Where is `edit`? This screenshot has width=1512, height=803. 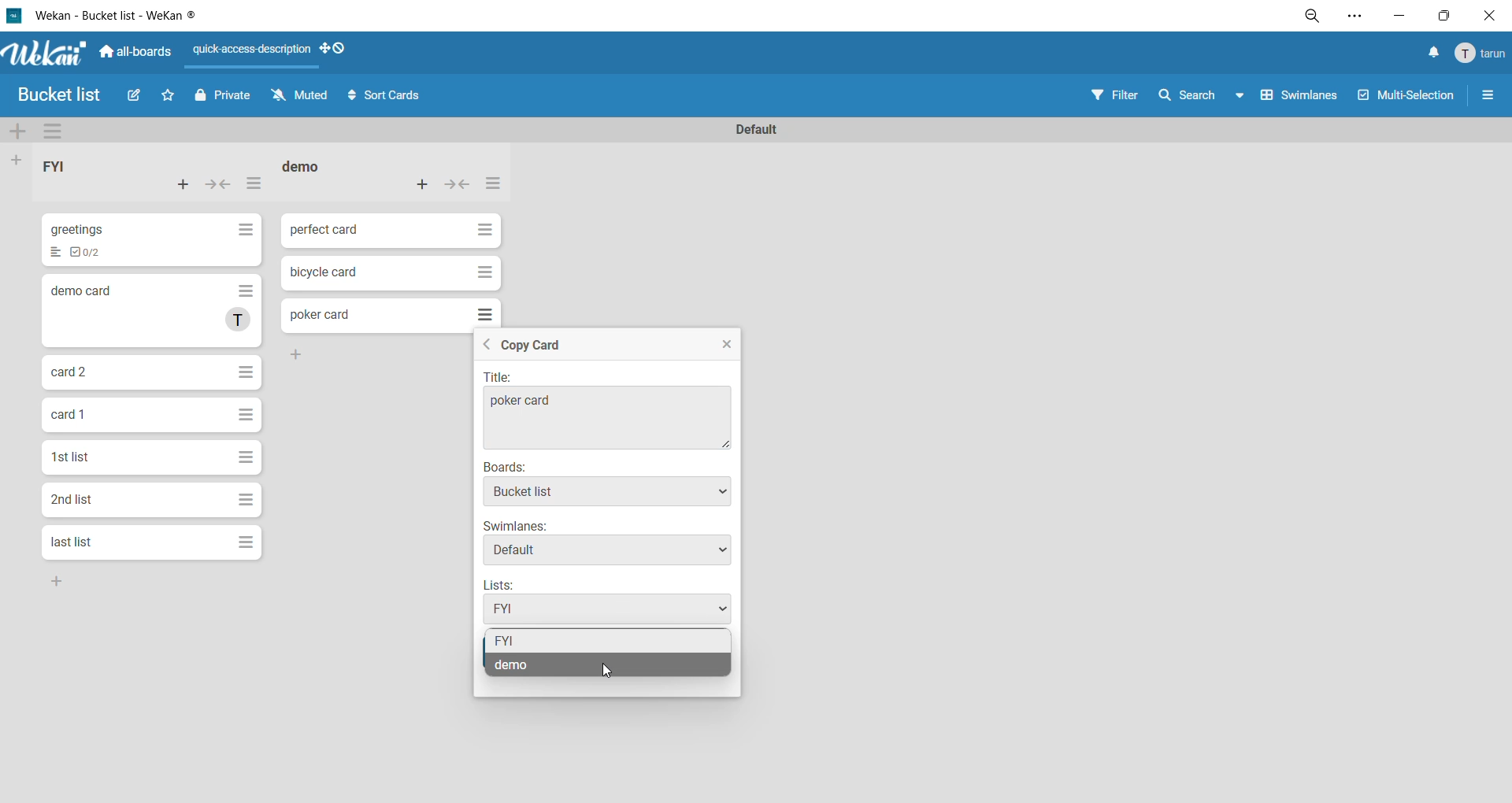
edit is located at coordinates (137, 98).